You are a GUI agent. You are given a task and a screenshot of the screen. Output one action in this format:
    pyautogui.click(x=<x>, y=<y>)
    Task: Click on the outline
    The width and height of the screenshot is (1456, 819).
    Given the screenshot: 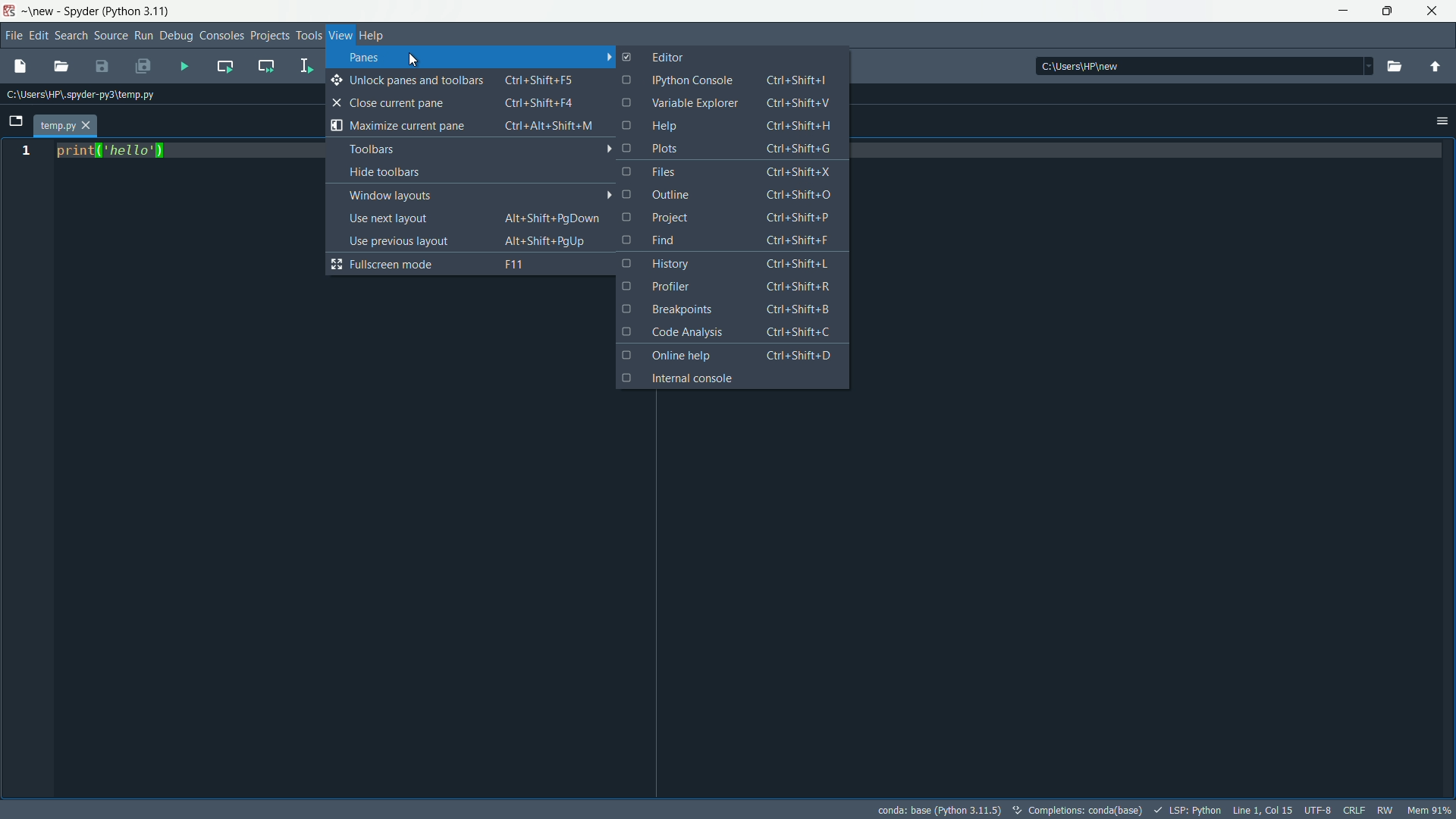 What is the action you would take?
    pyautogui.click(x=738, y=197)
    